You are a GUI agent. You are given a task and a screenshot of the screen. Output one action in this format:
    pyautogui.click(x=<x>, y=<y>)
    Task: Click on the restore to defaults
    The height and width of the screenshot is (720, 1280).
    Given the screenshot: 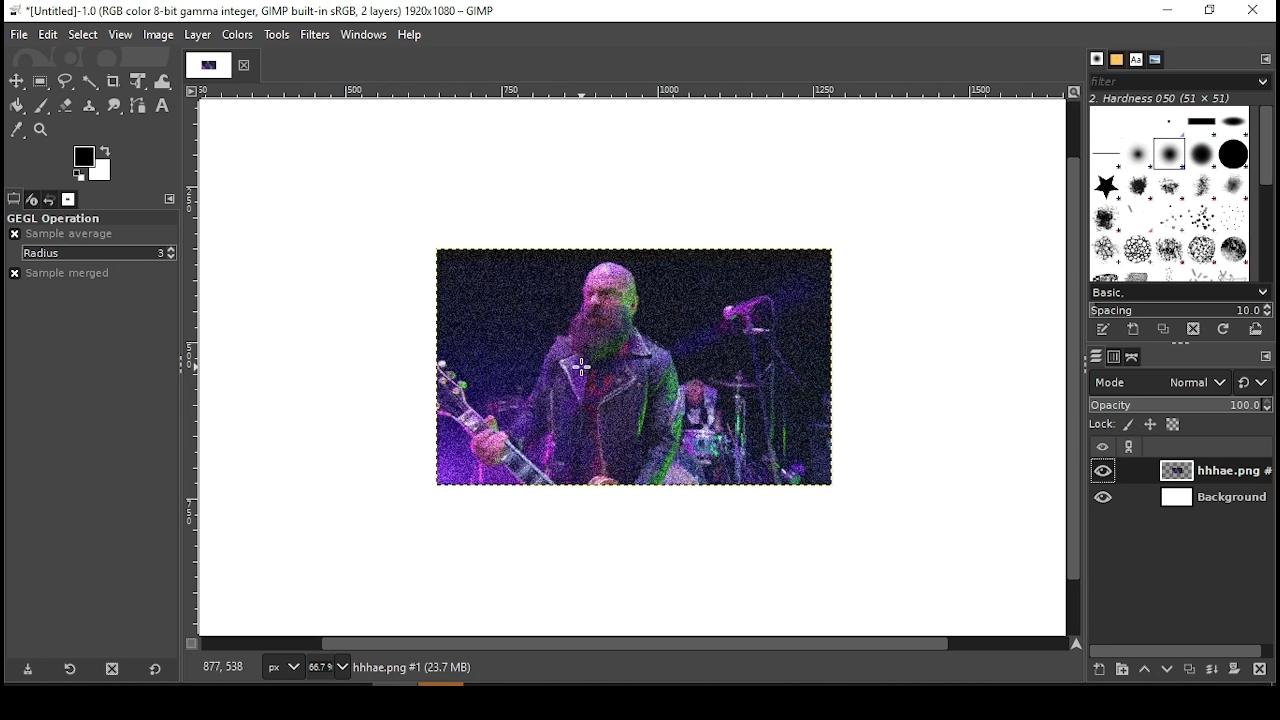 What is the action you would take?
    pyautogui.click(x=156, y=669)
    